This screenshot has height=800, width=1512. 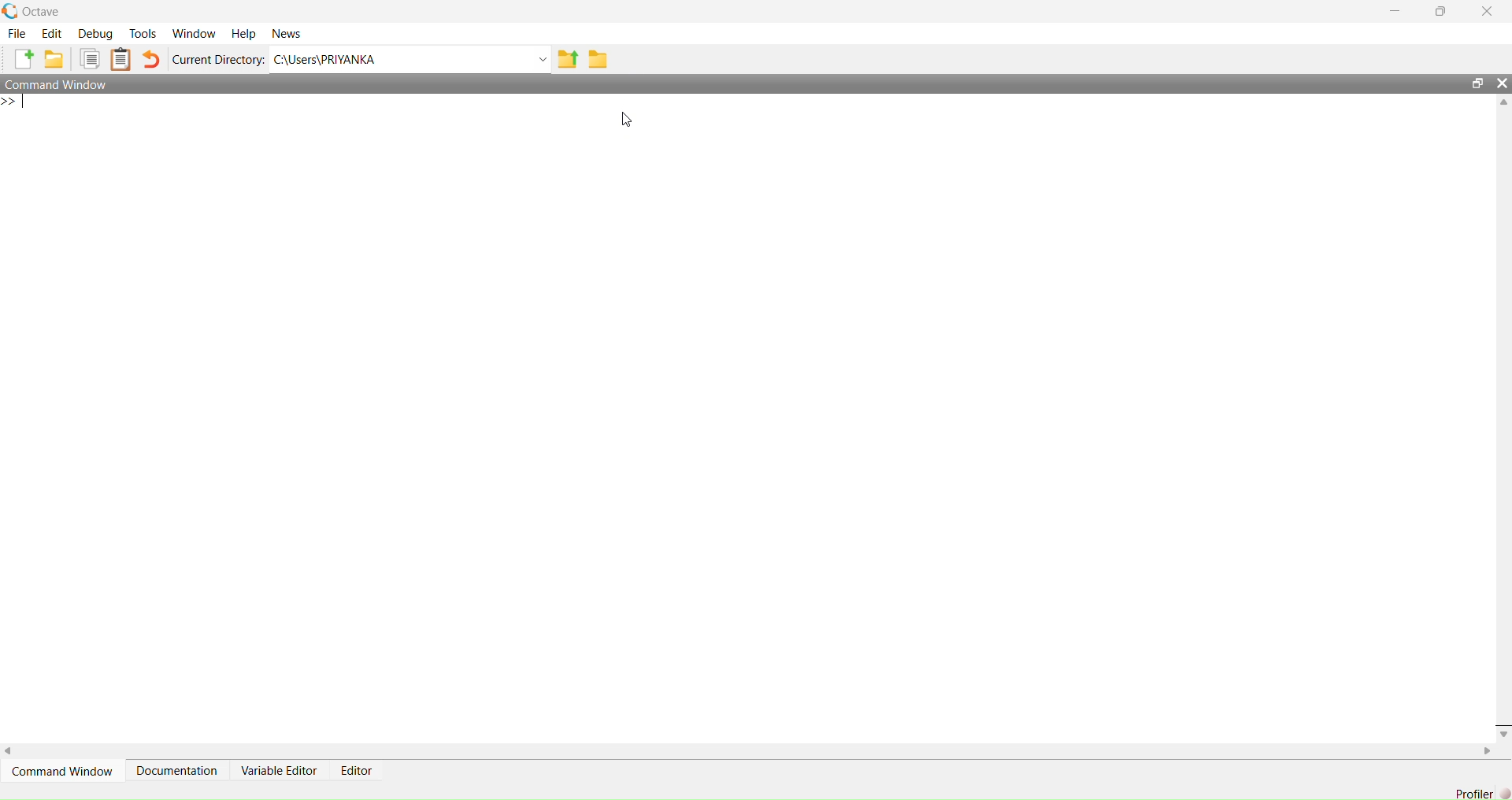 What do you see at coordinates (143, 34) in the screenshot?
I see `Tools` at bounding box center [143, 34].